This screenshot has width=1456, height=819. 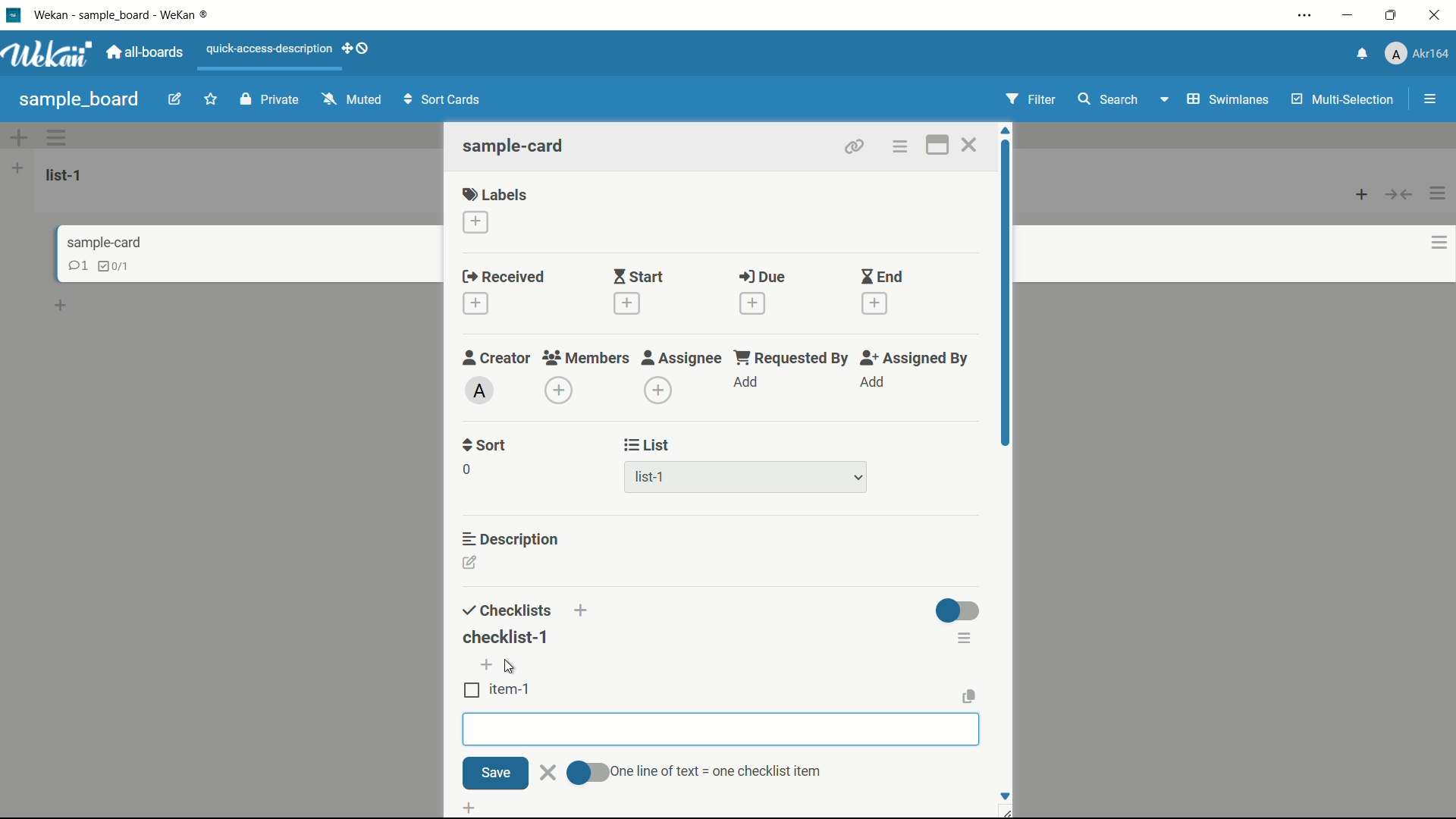 I want to click on options, so click(x=1433, y=240).